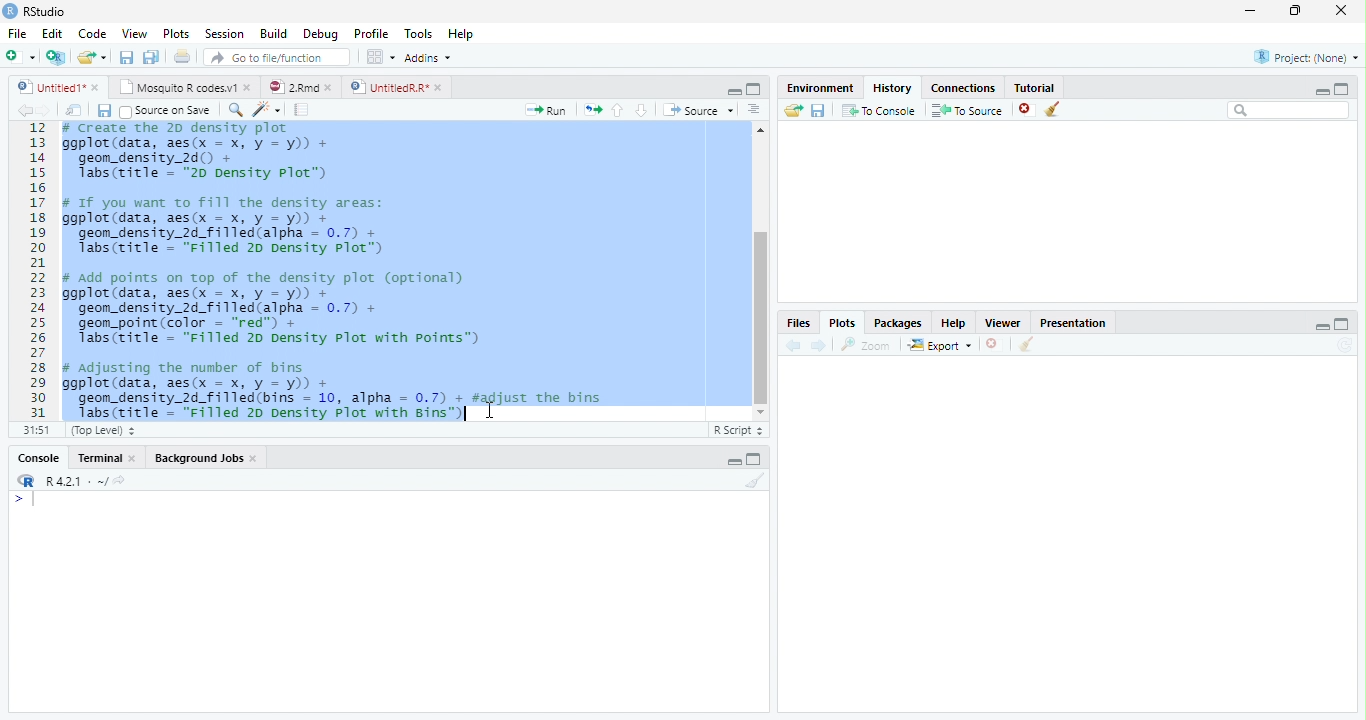 Image resolution: width=1366 pixels, height=720 pixels. I want to click on Profile, so click(372, 34).